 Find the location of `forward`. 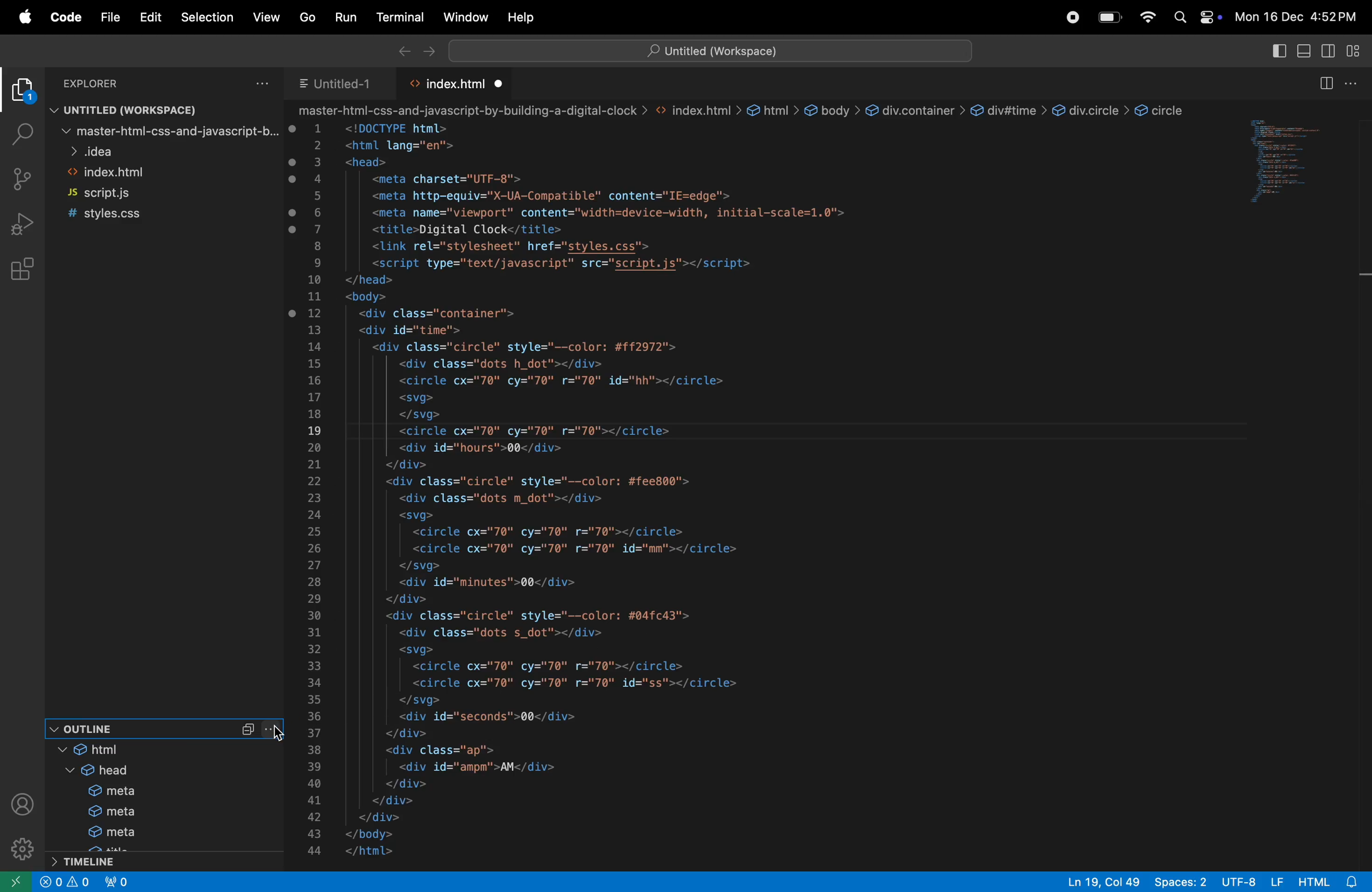

forward is located at coordinates (425, 52).